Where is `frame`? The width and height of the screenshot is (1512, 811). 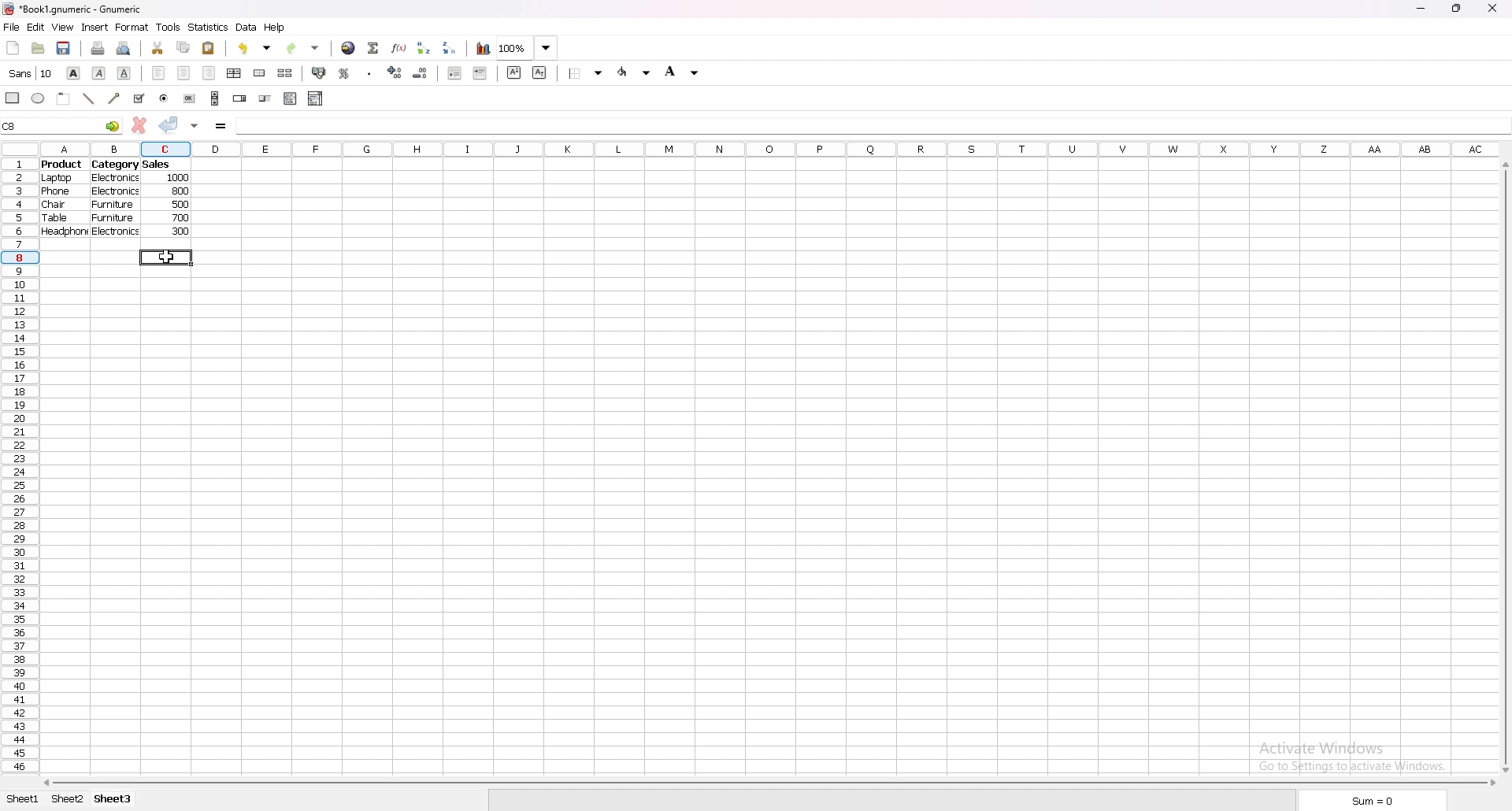 frame is located at coordinates (63, 98).